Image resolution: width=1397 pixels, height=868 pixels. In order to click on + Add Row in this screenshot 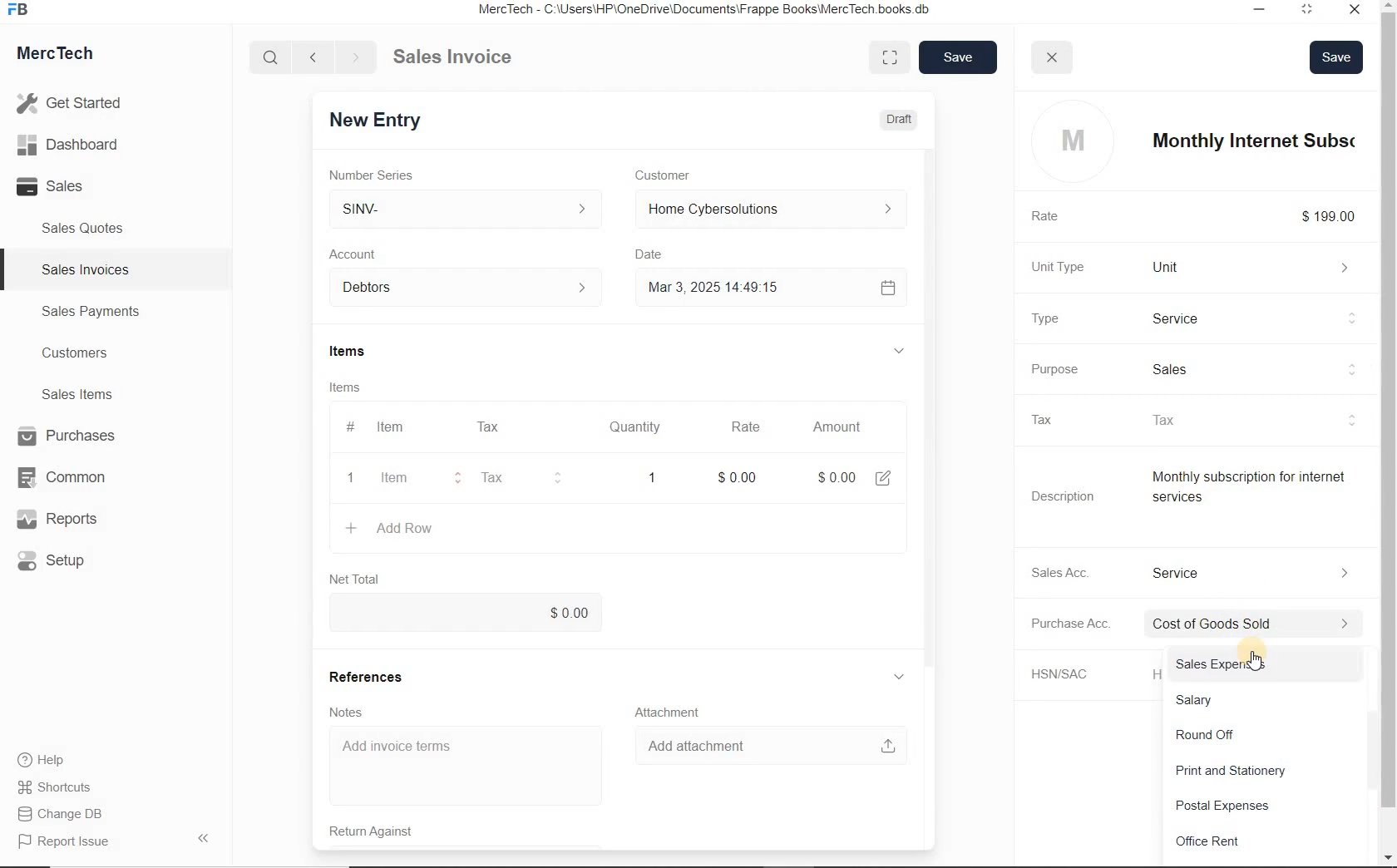, I will do `click(417, 529)`.